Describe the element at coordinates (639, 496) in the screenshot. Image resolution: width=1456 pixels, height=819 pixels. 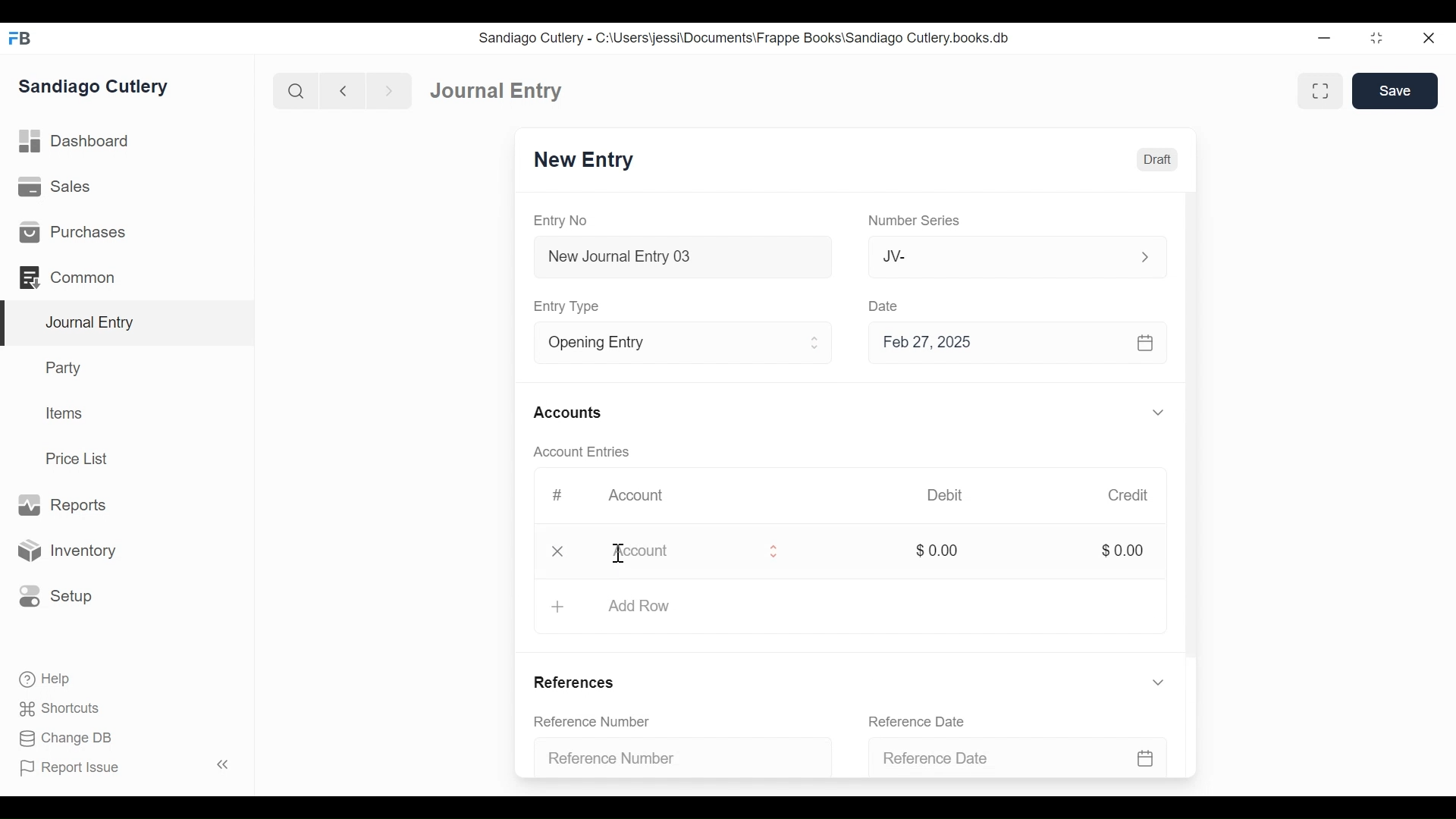
I see `Account` at that location.